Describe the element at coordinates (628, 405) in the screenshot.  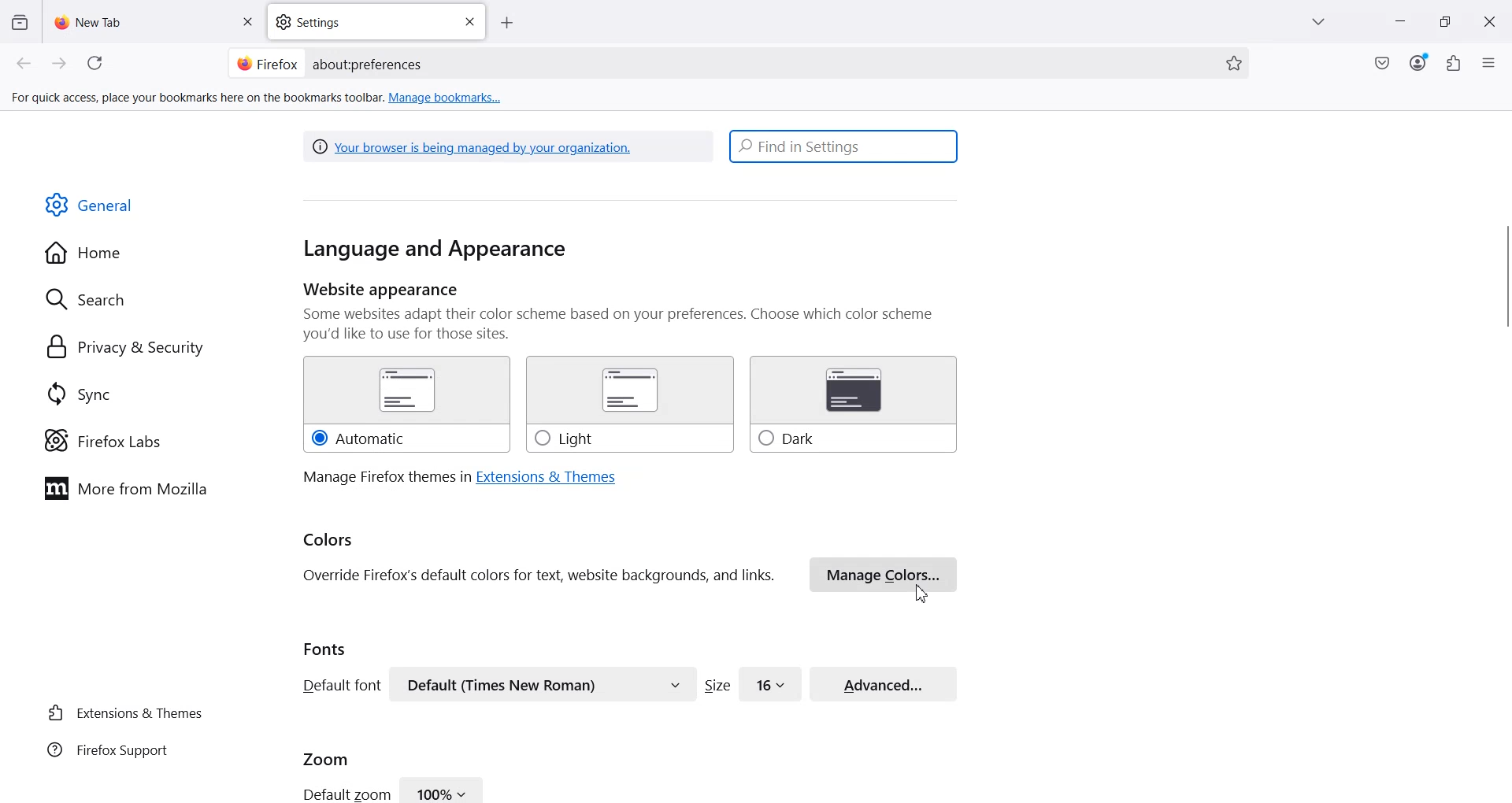
I see `O Light` at that location.